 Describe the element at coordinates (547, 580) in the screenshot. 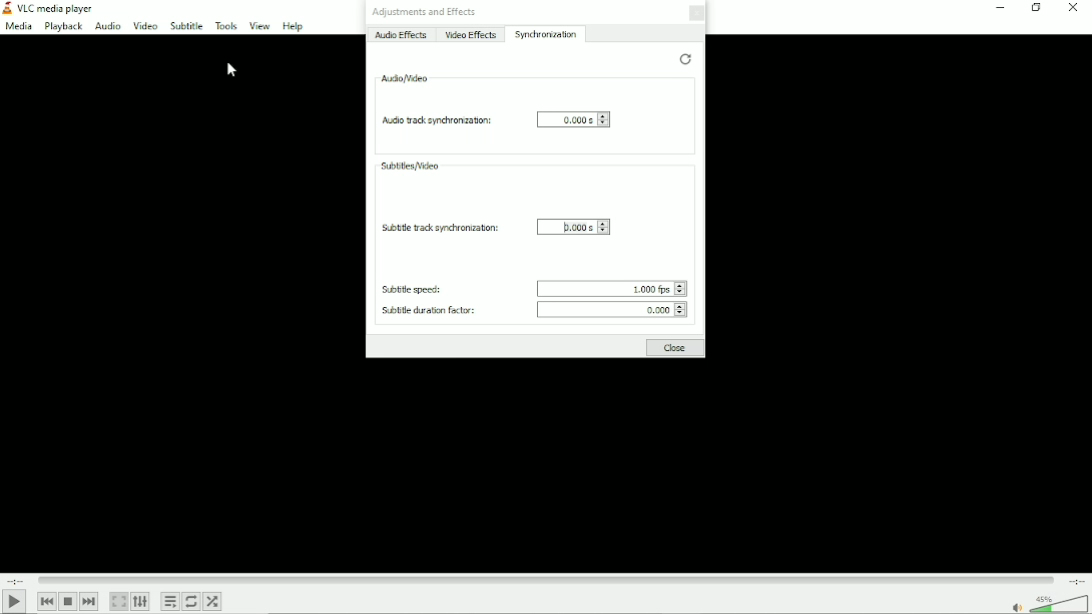

I see `Play duration` at that location.